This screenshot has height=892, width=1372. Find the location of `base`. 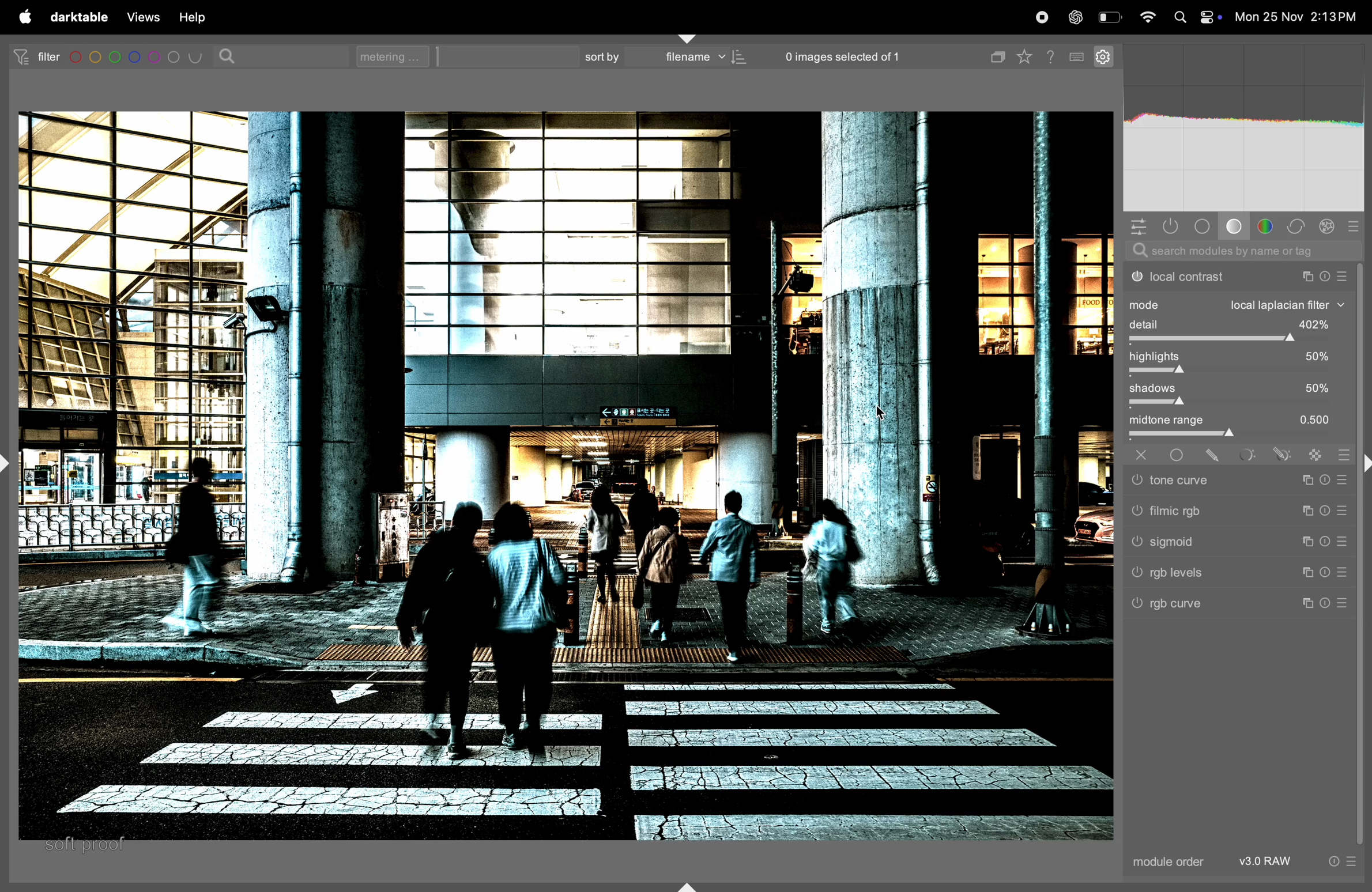

base is located at coordinates (1234, 226).